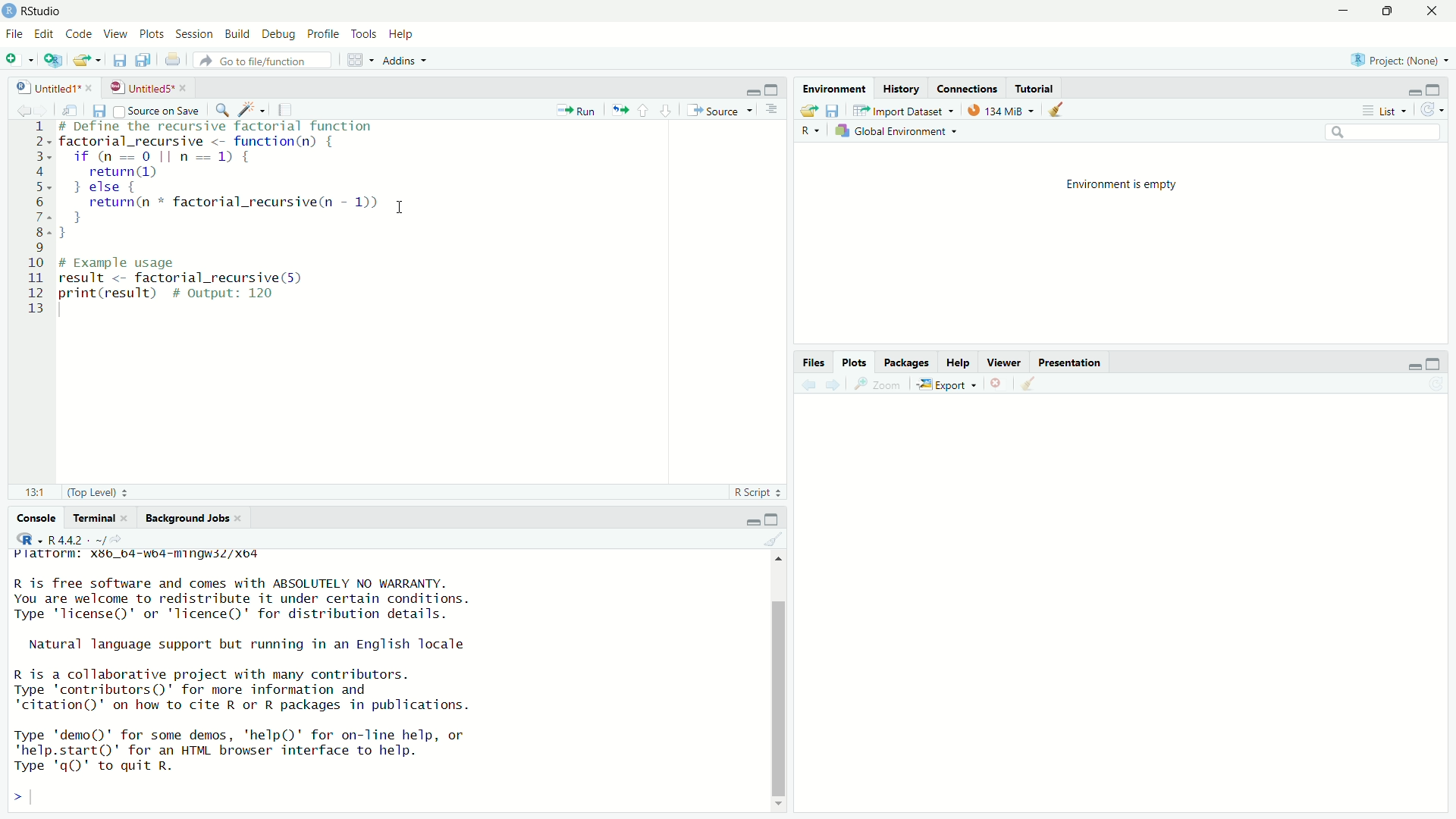 The width and height of the screenshot is (1456, 819). I want to click on Console, so click(37, 519).